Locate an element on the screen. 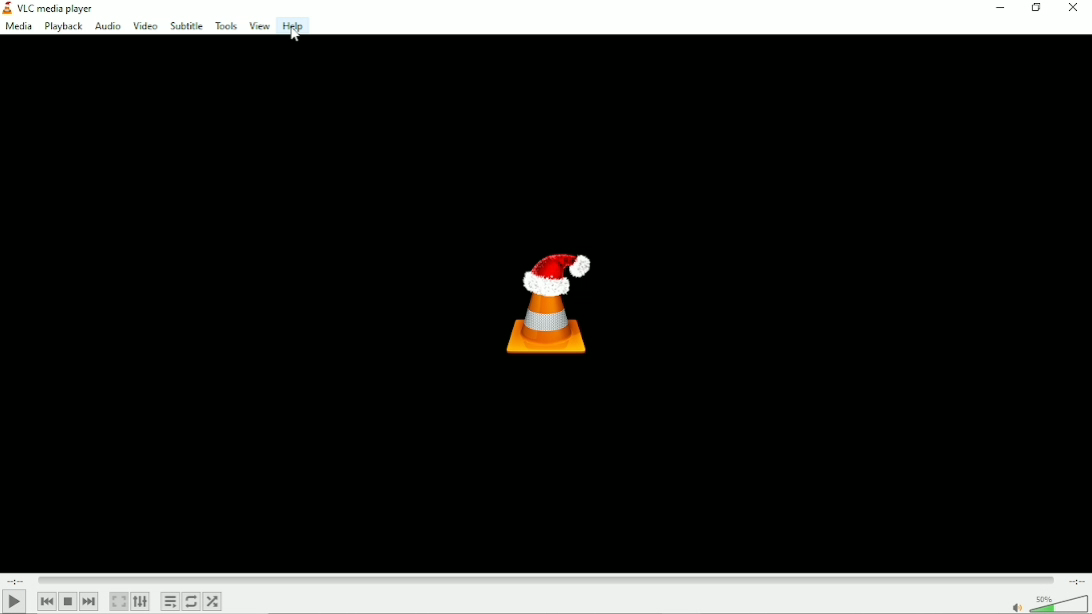 The image size is (1092, 614). Restore down is located at coordinates (1039, 9).